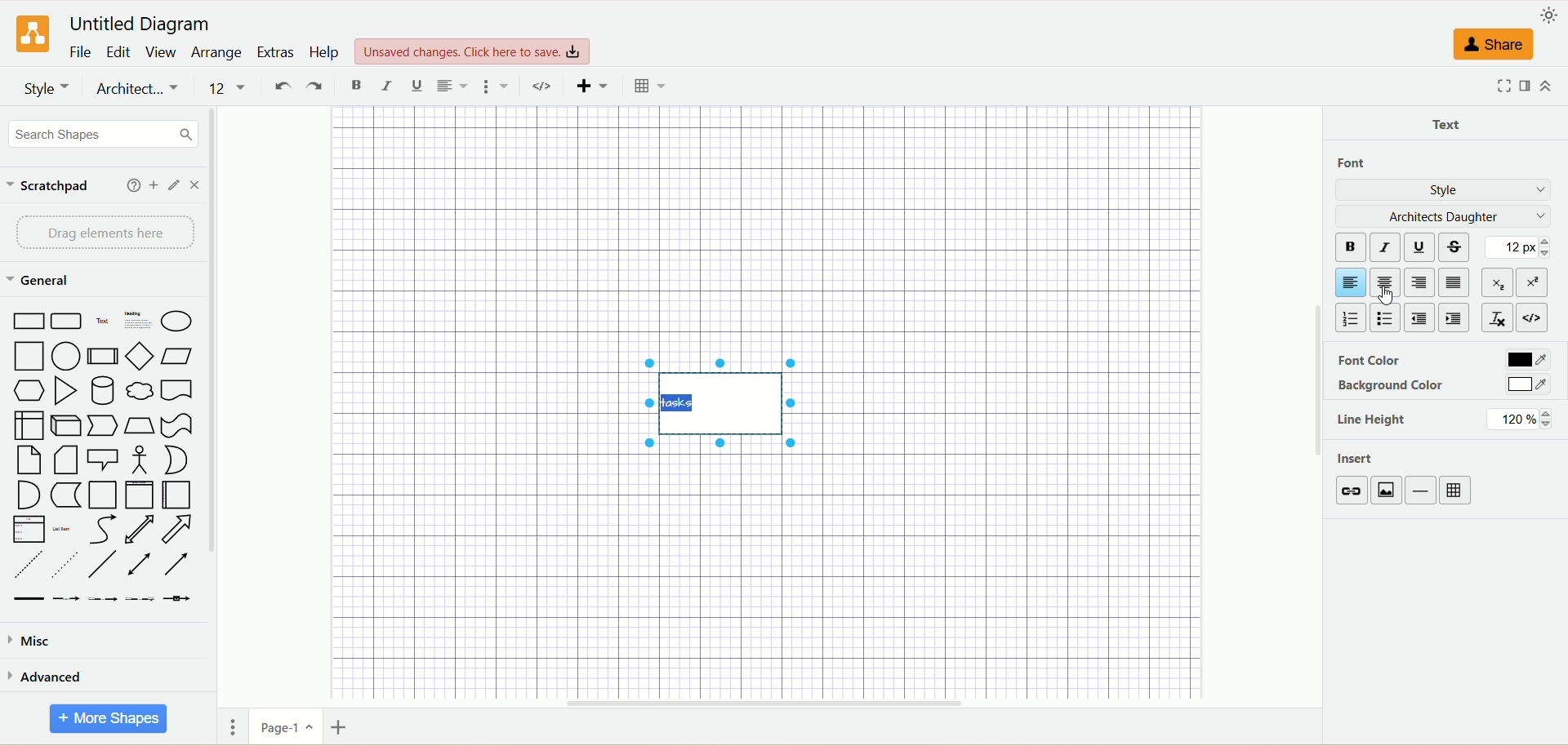  What do you see at coordinates (141, 426) in the screenshot?
I see `Trapezoid` at bounding box center [141, 426].